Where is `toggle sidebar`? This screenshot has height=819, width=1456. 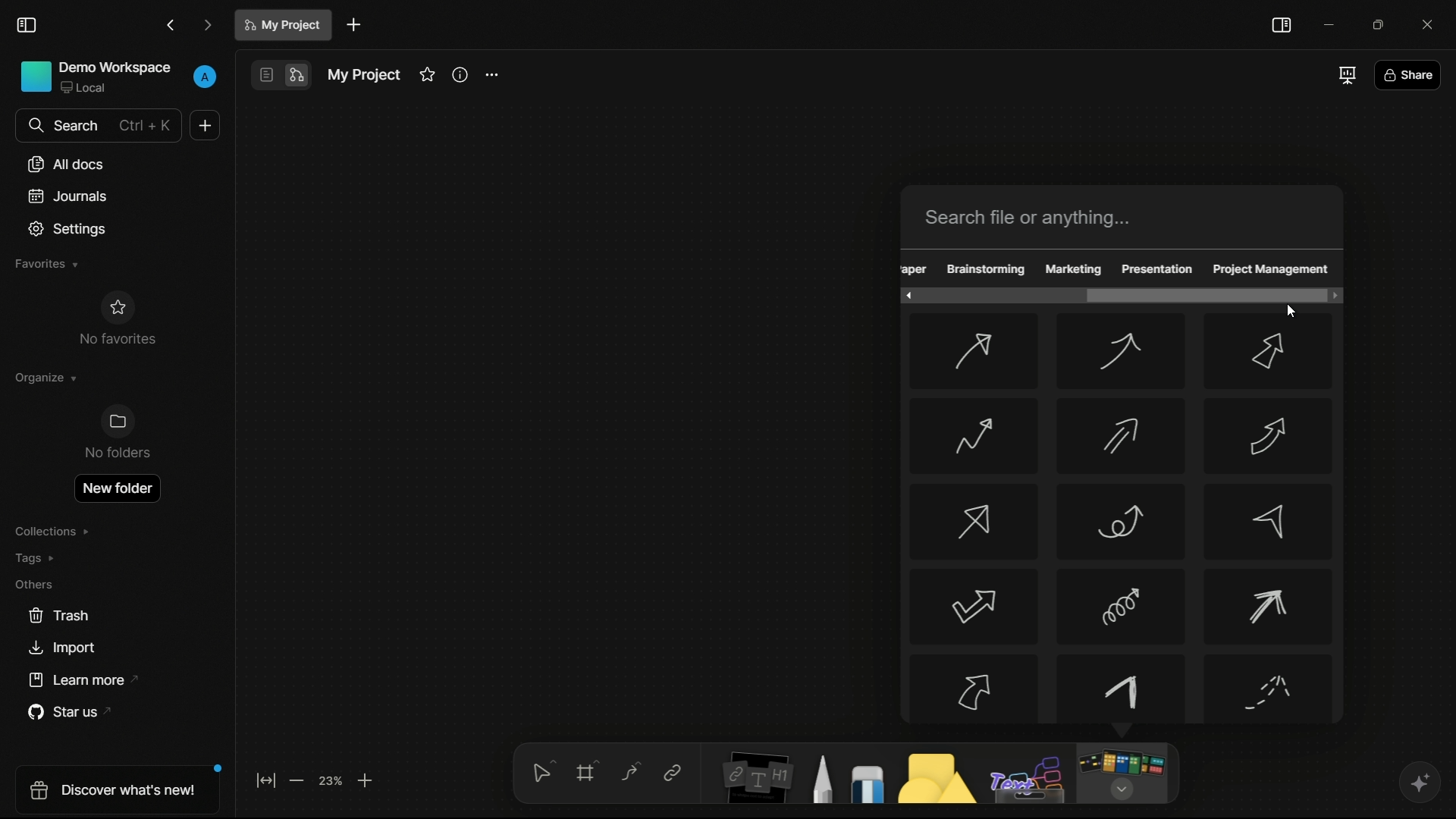
toggle sidebar is located at coordinates (1281, 25).